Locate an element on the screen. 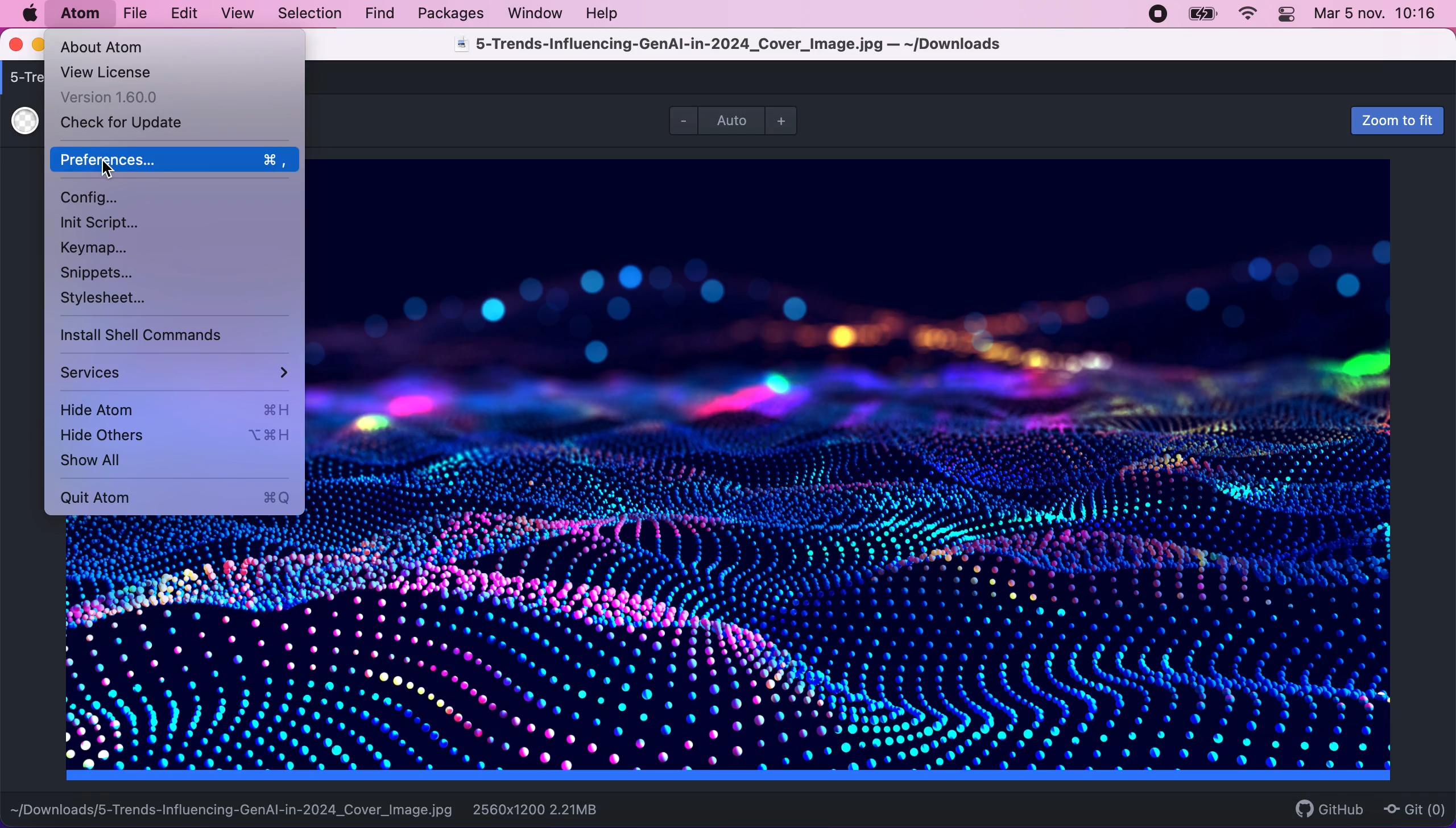 This screenshot has width=1456, height=828. edit is located at coordinates (183, 14).